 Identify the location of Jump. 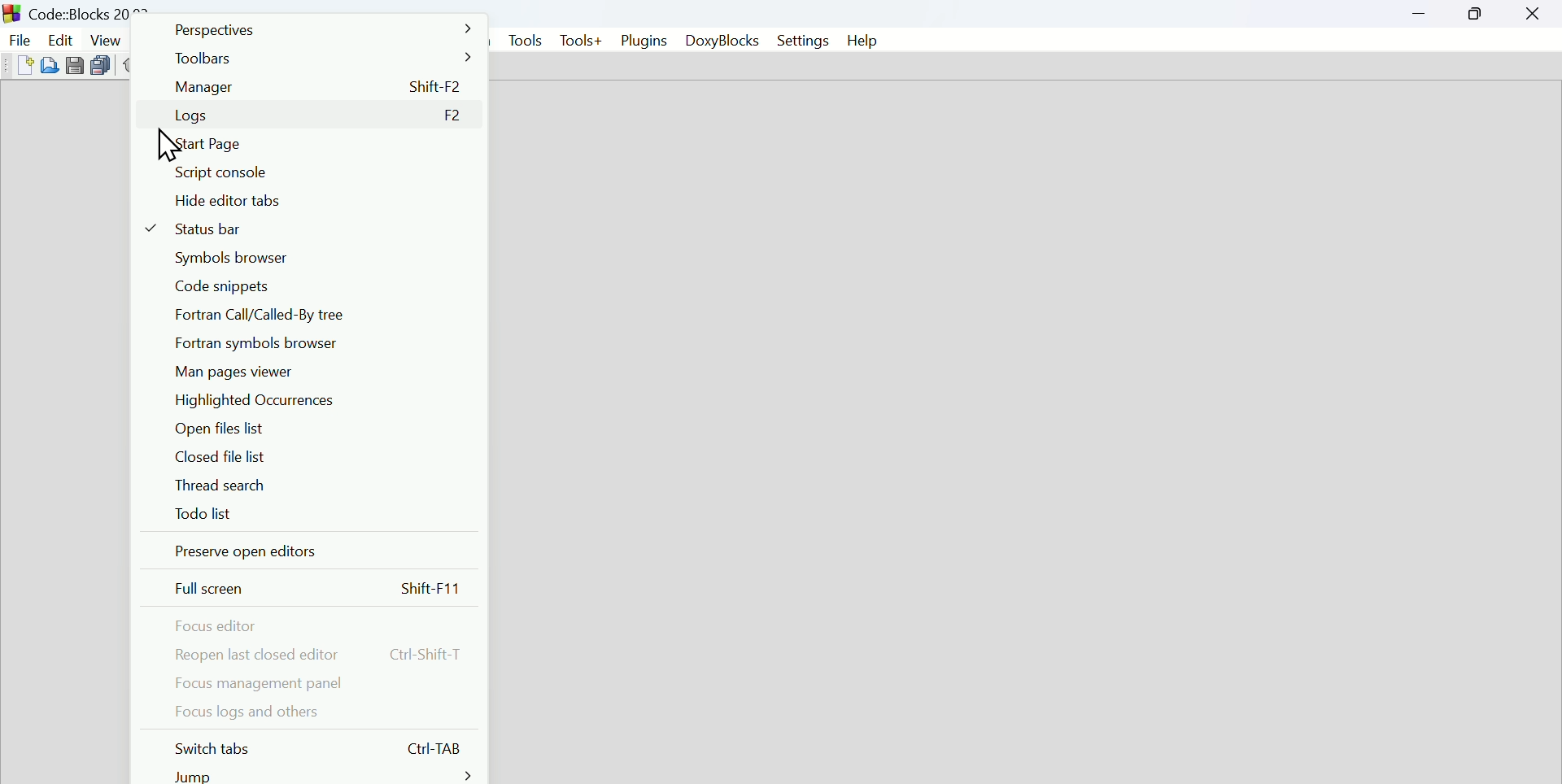
(324, 775).